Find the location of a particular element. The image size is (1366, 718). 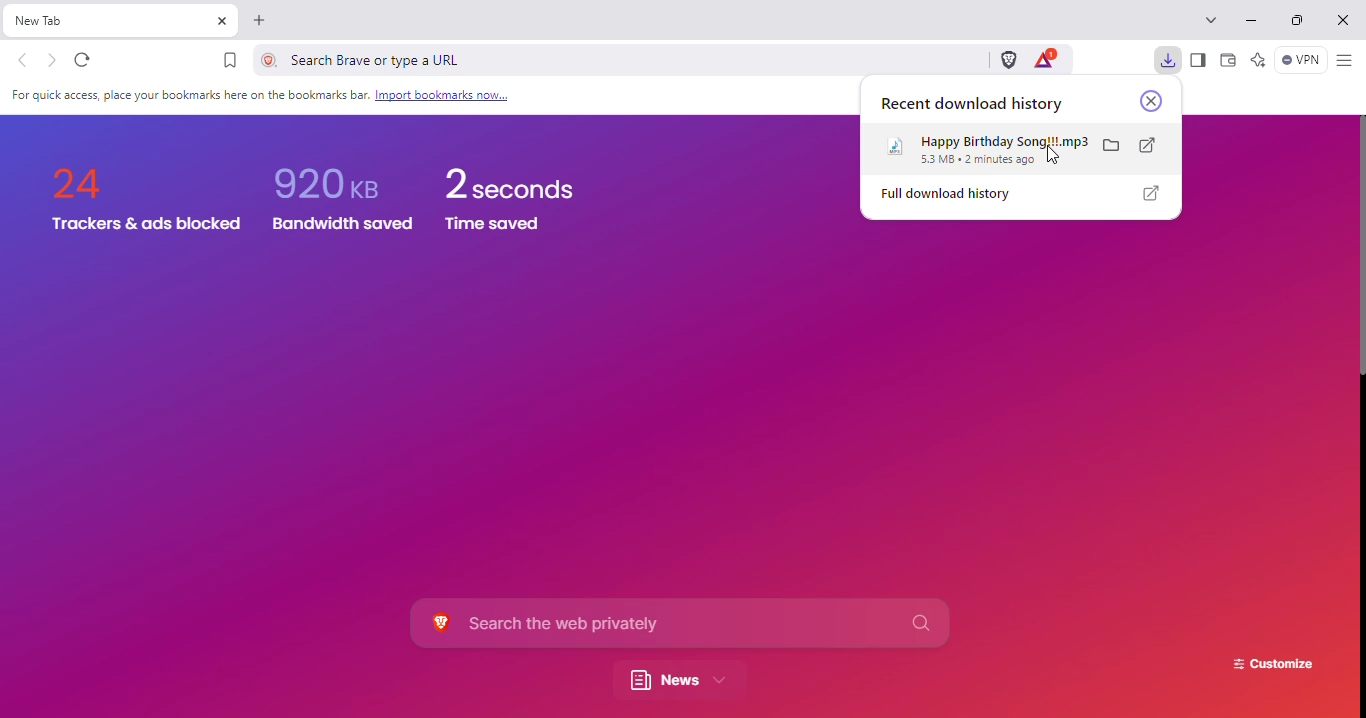

new tab is located at coordinates (93, 20).